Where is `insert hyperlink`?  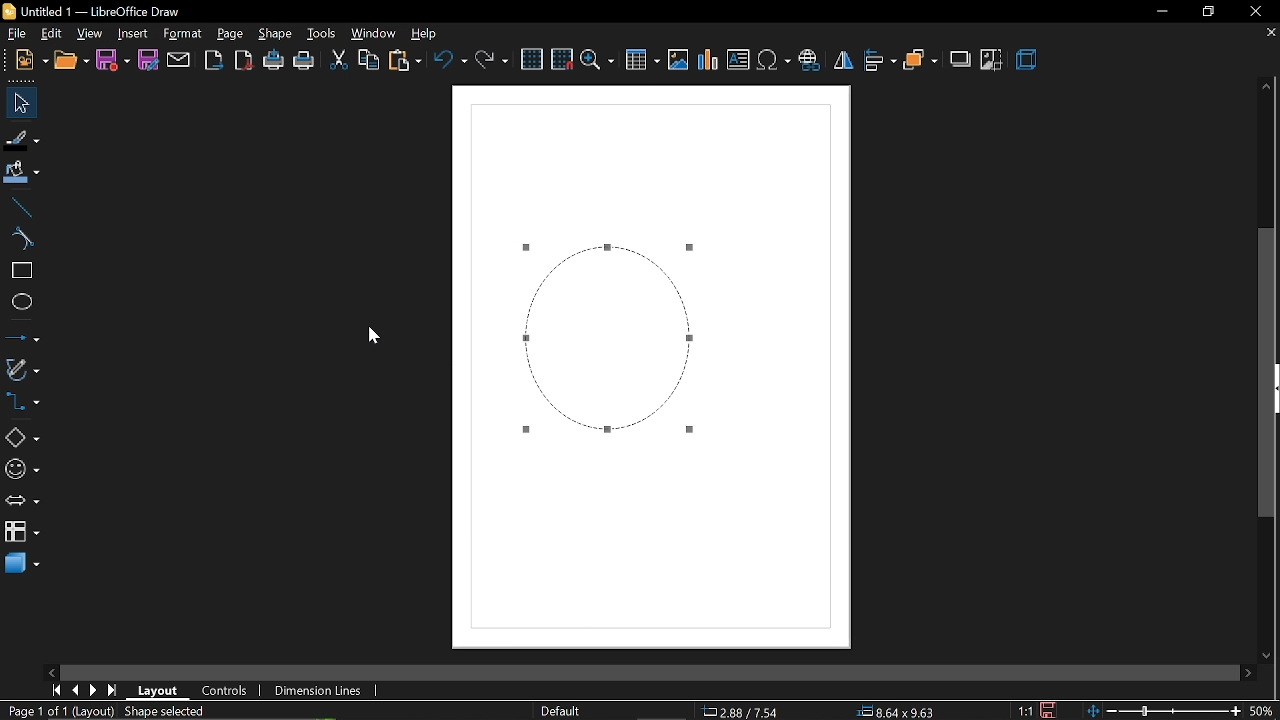 insert hyperlink is located at coordinates (808, 60).